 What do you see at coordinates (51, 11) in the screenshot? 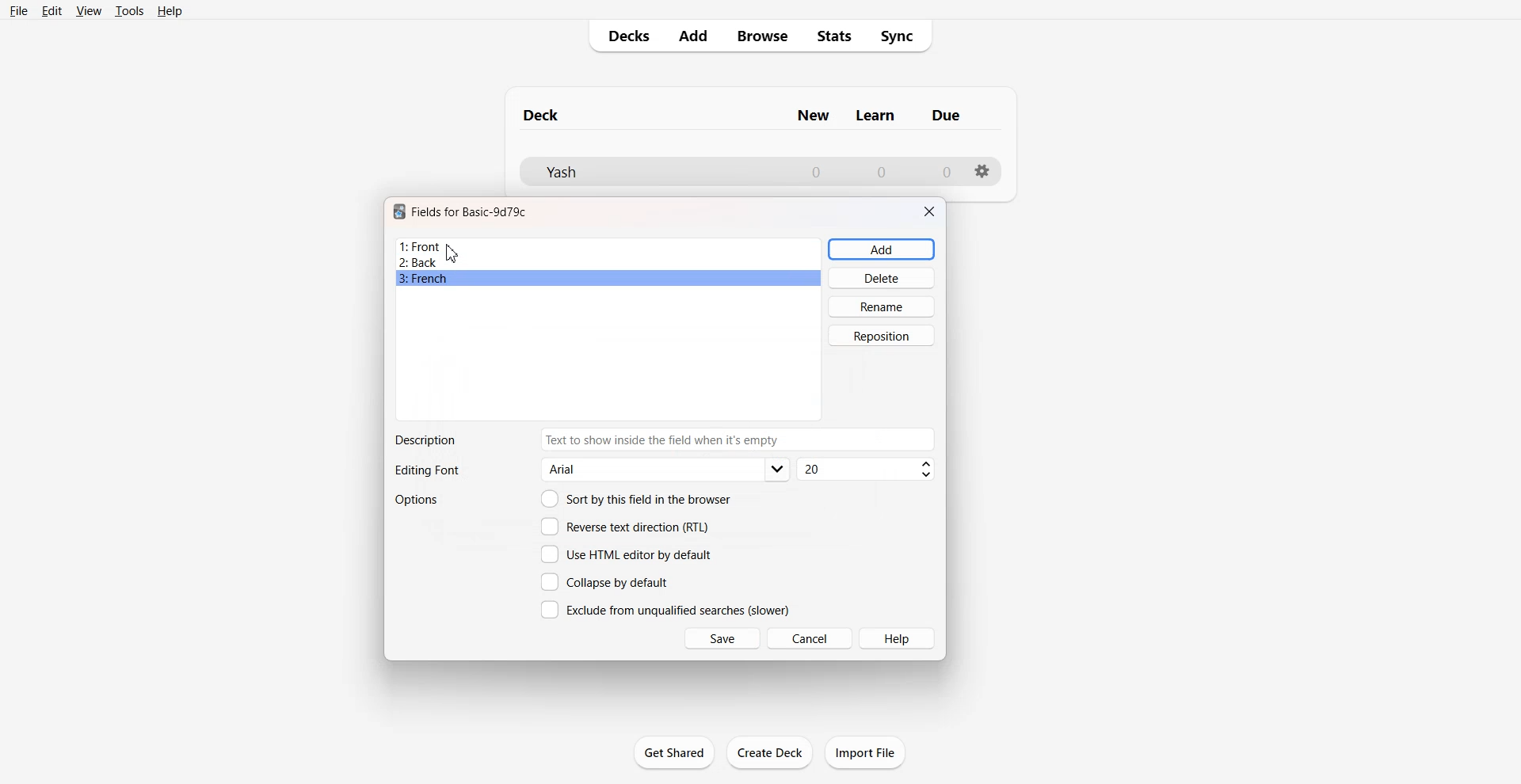
I see `Edit` at bounding box center [51, 11].